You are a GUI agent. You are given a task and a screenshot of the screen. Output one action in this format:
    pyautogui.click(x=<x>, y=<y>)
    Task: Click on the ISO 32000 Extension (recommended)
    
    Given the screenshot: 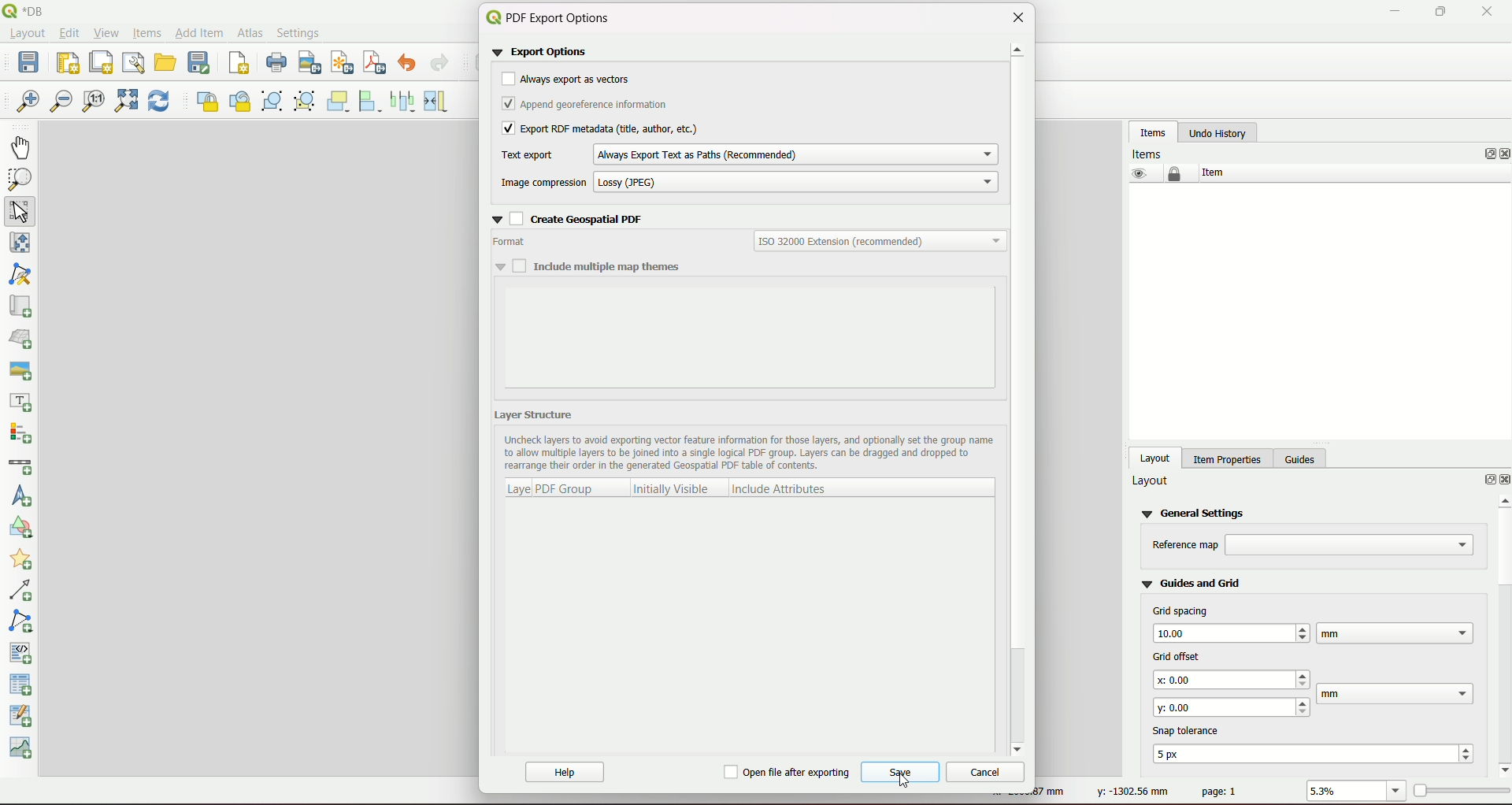 What is the action you would take?
    pyautogui.click(x=880, y=241)
    